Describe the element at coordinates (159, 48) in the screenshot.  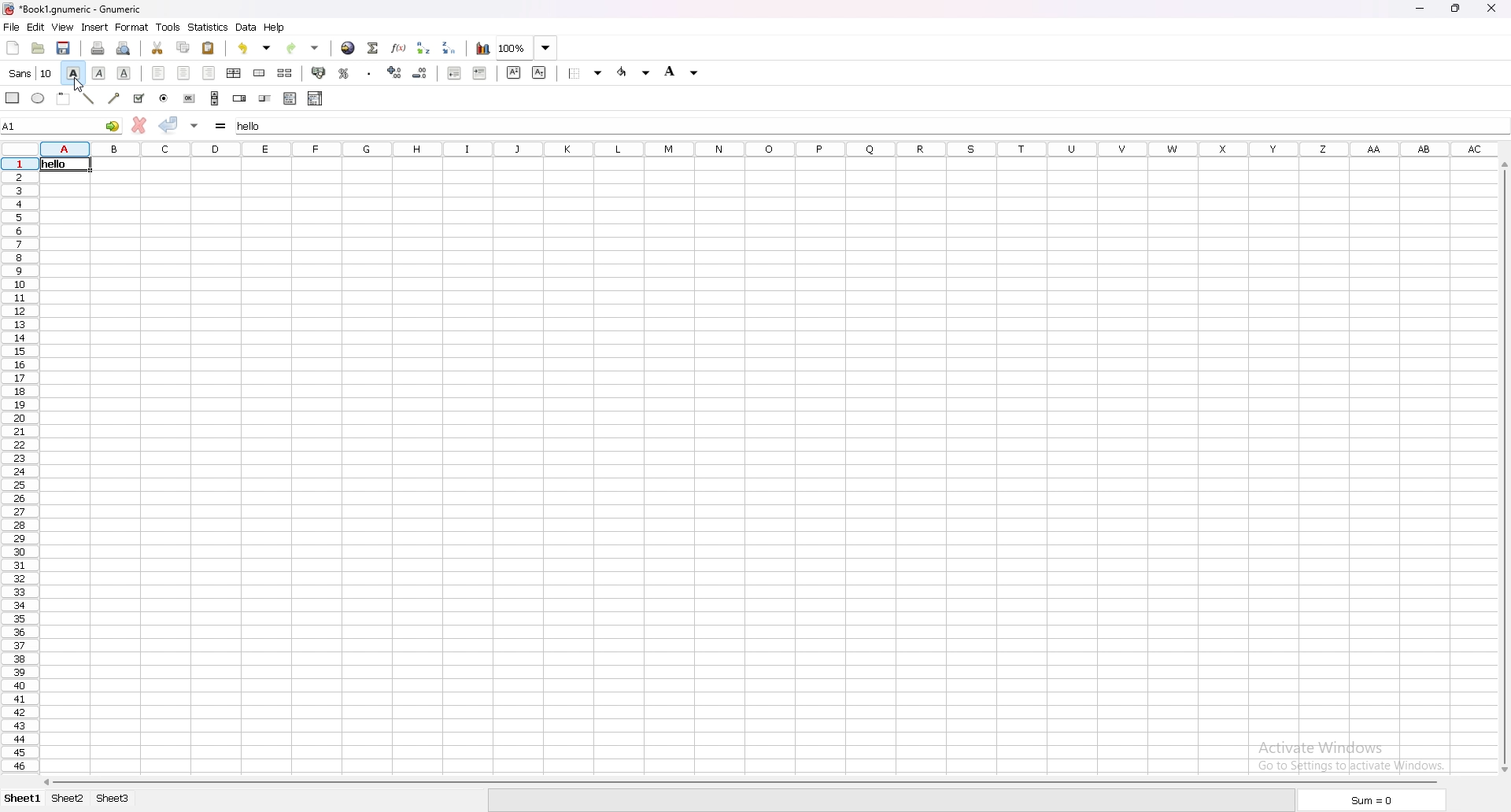
I see `cut` at that location.